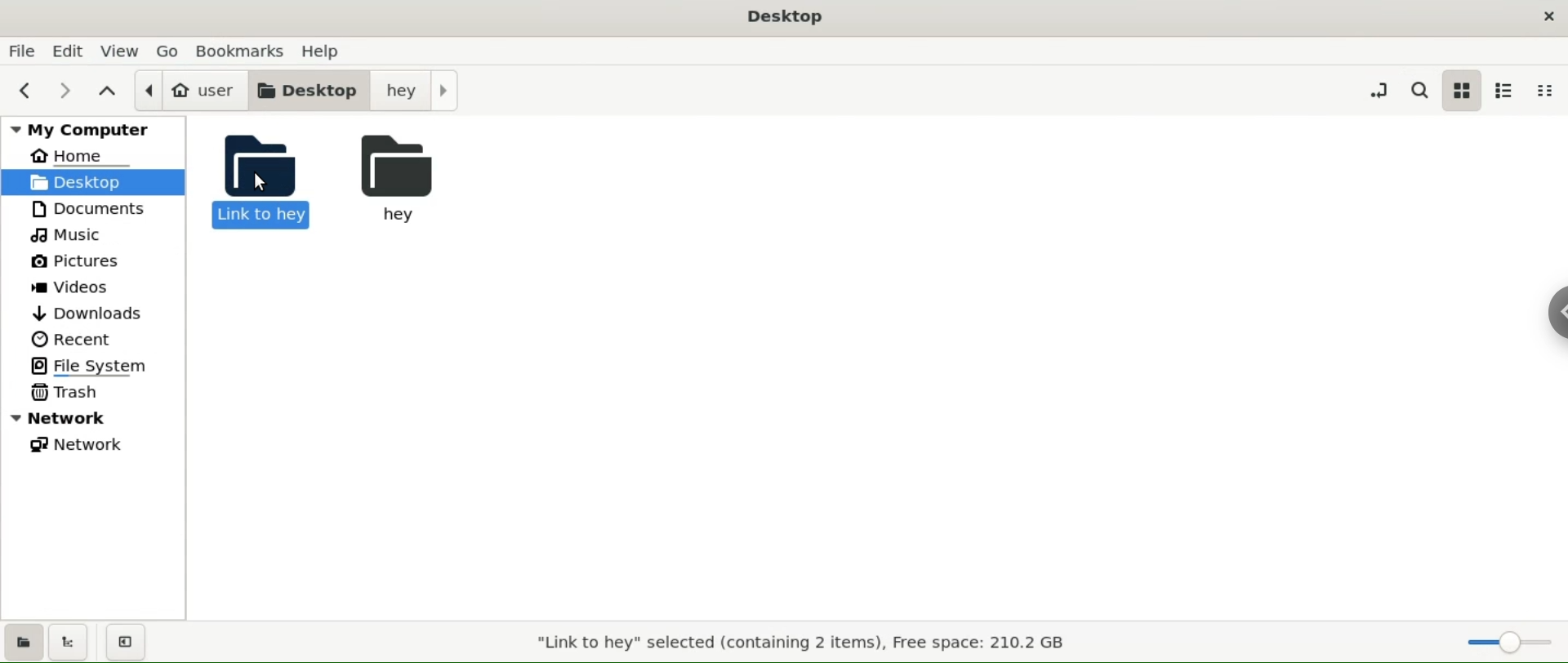 Image resolution: width=1568 pixels, height=663 pixels. What do you see at coordinates (27, 91) in the screenshot?
I see `previous` at bounding box center [27, 91].